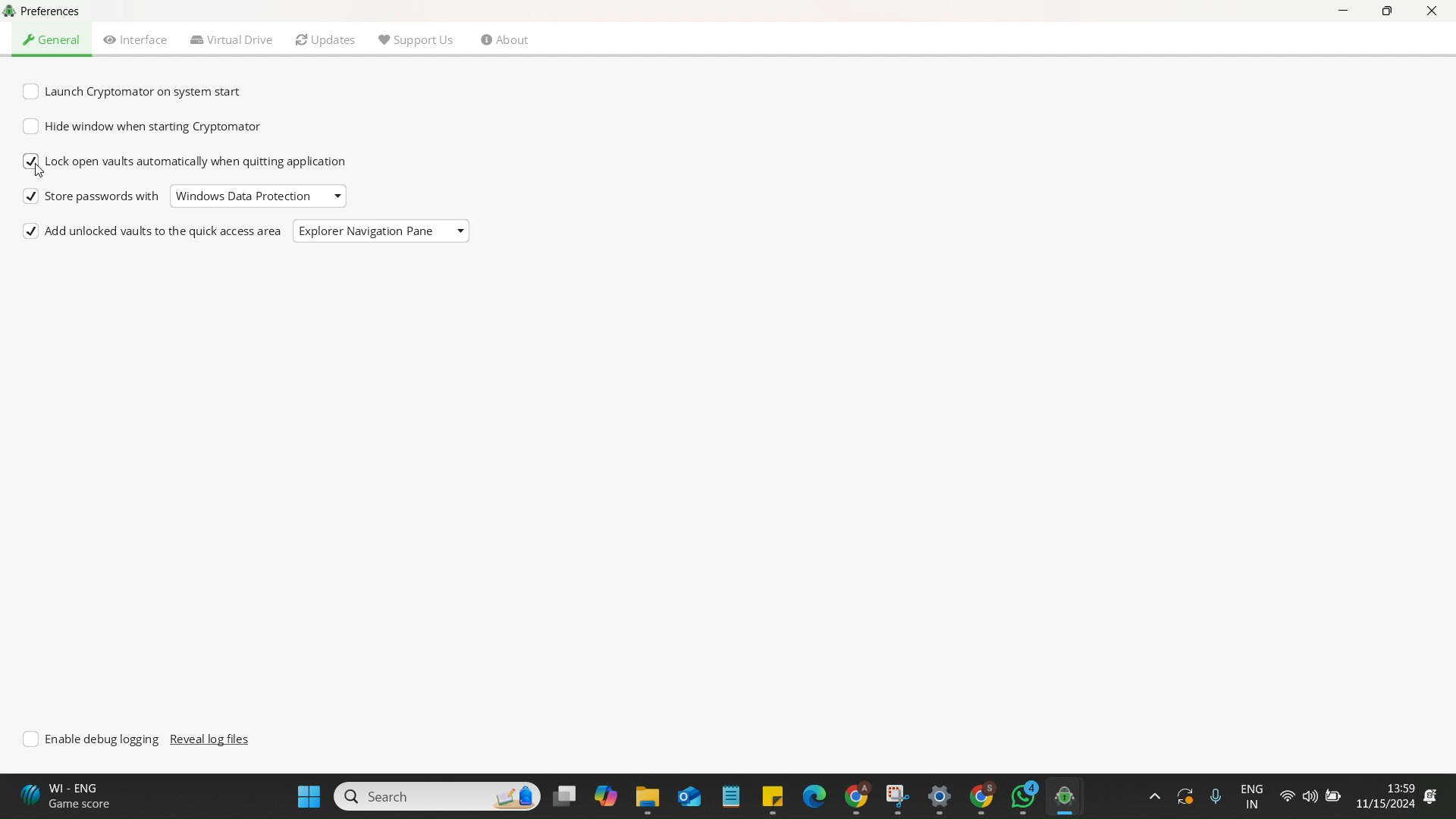 The width and height of the screenshot is (1456, 819). What do you see at coordinates (69, 796) in the screenshot?
I see `Game score` at bounding box center [69, 796].